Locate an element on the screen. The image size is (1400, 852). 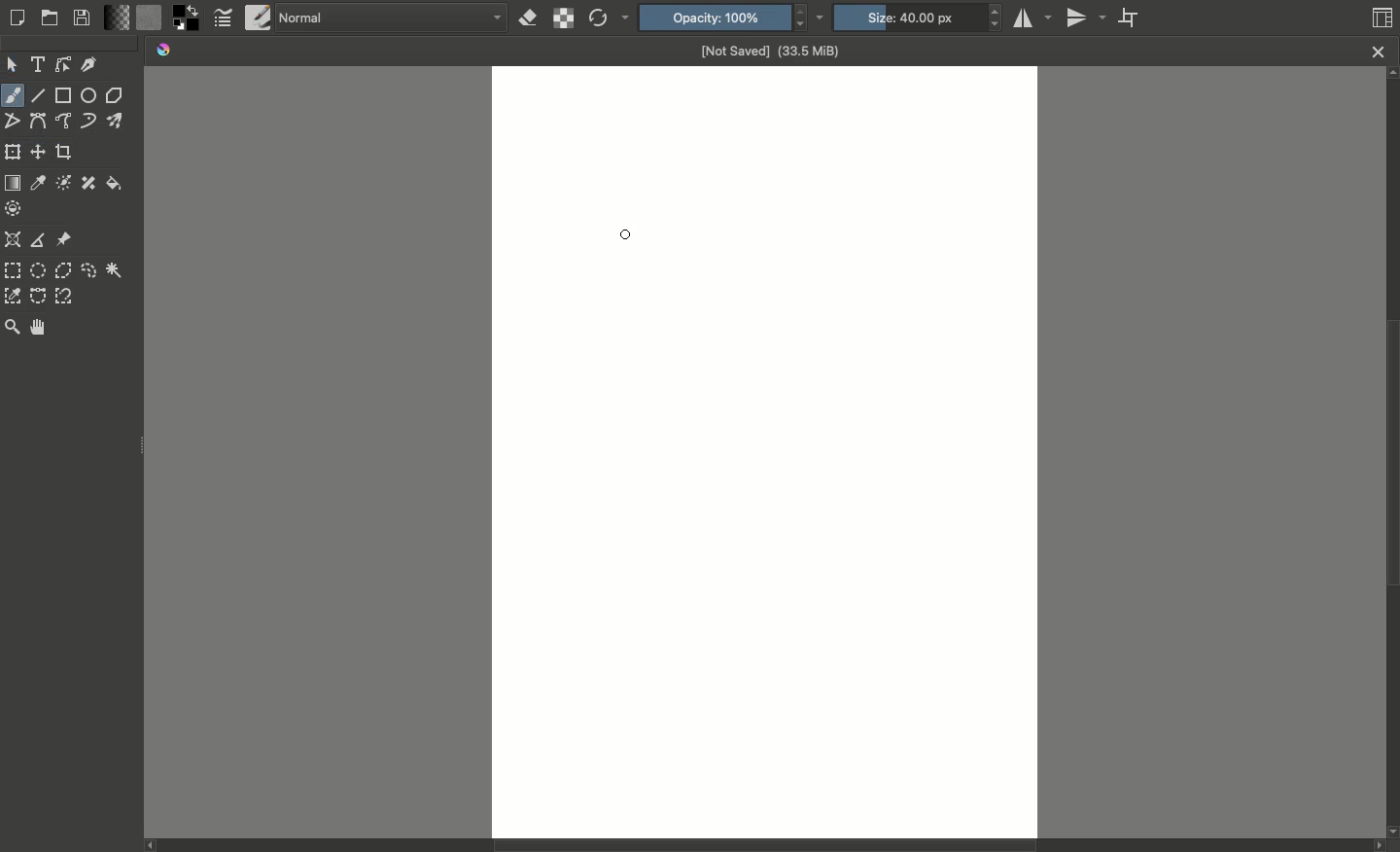
Reload original preset is located at coordinates (610, 18).